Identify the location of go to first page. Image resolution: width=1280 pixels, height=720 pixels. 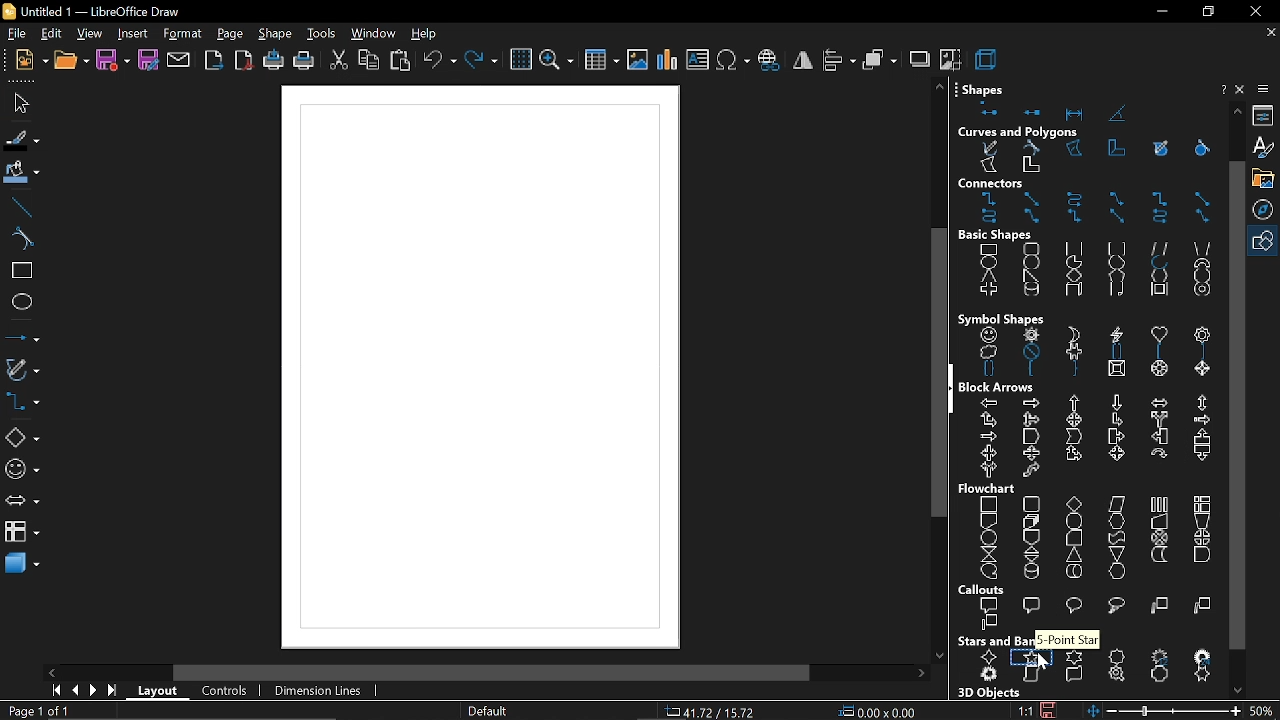
(54, 690).